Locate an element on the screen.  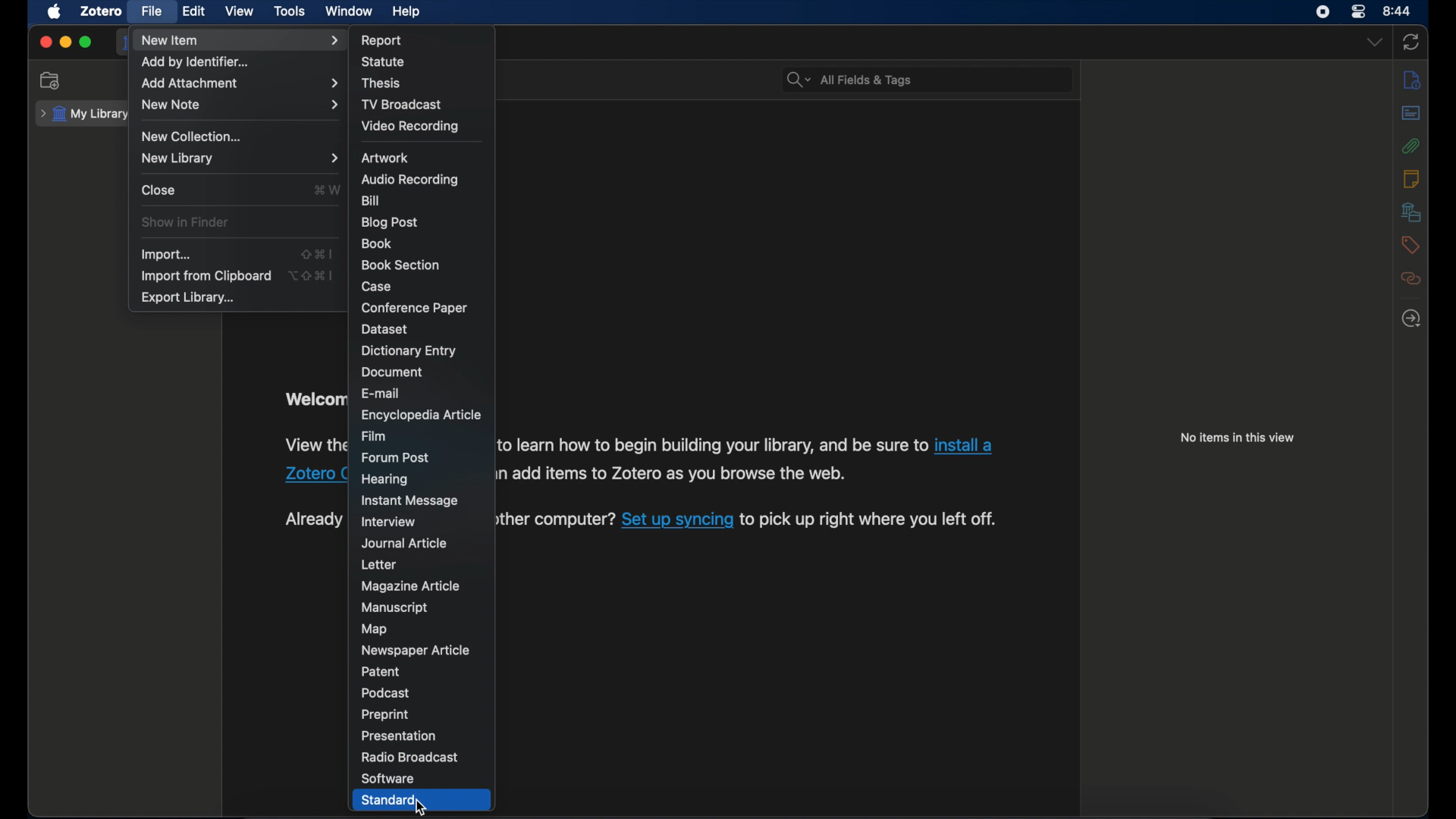
shortcut is located at coordinates (315, 253).